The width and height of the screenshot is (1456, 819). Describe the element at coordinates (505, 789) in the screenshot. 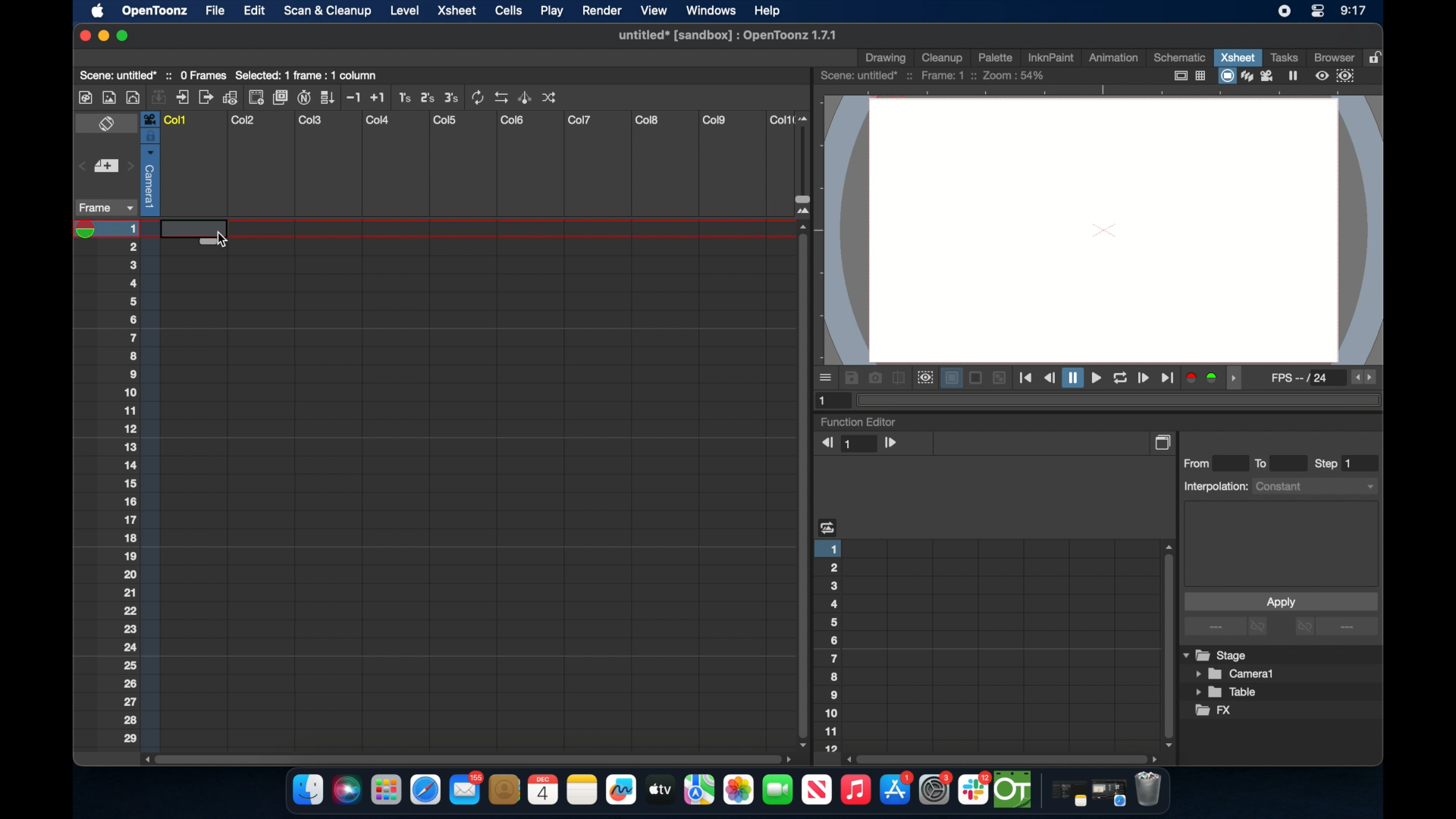

I see `contacts` at that location.